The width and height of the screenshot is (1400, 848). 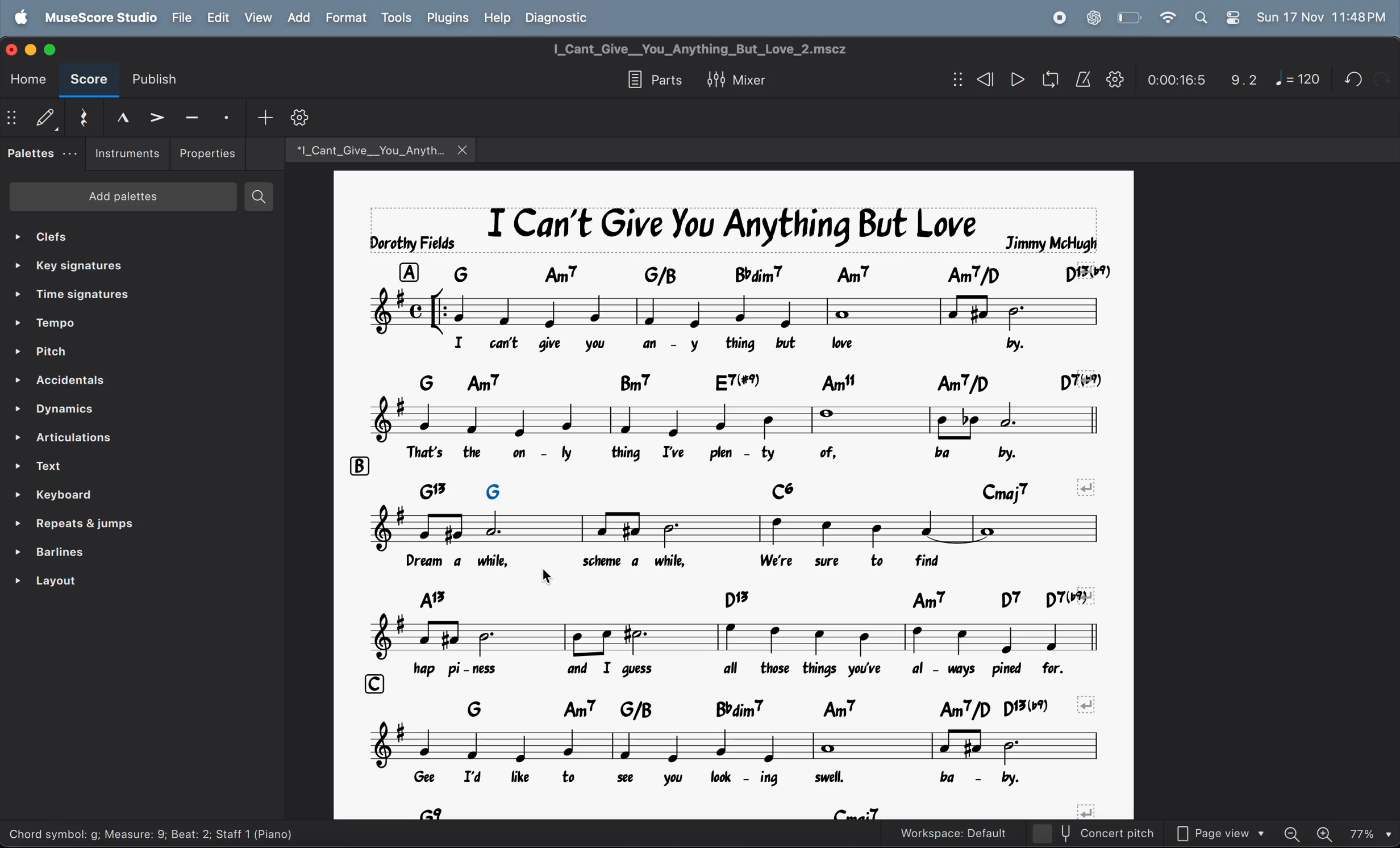 I want to click on chord symbols, so click(x=757, y=601).